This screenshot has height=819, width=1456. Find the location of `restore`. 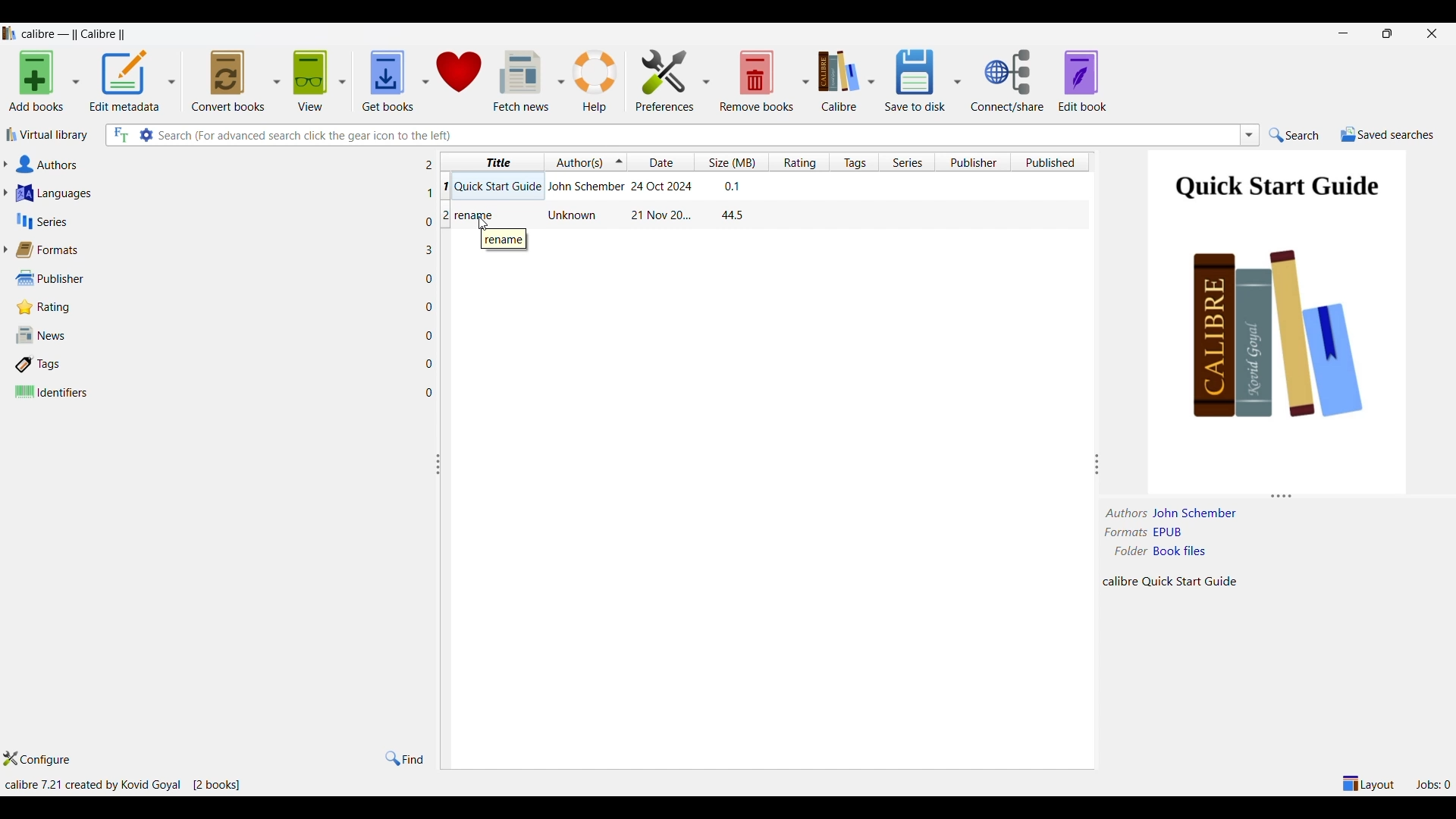

restore is located at coordinates (1387, 33).